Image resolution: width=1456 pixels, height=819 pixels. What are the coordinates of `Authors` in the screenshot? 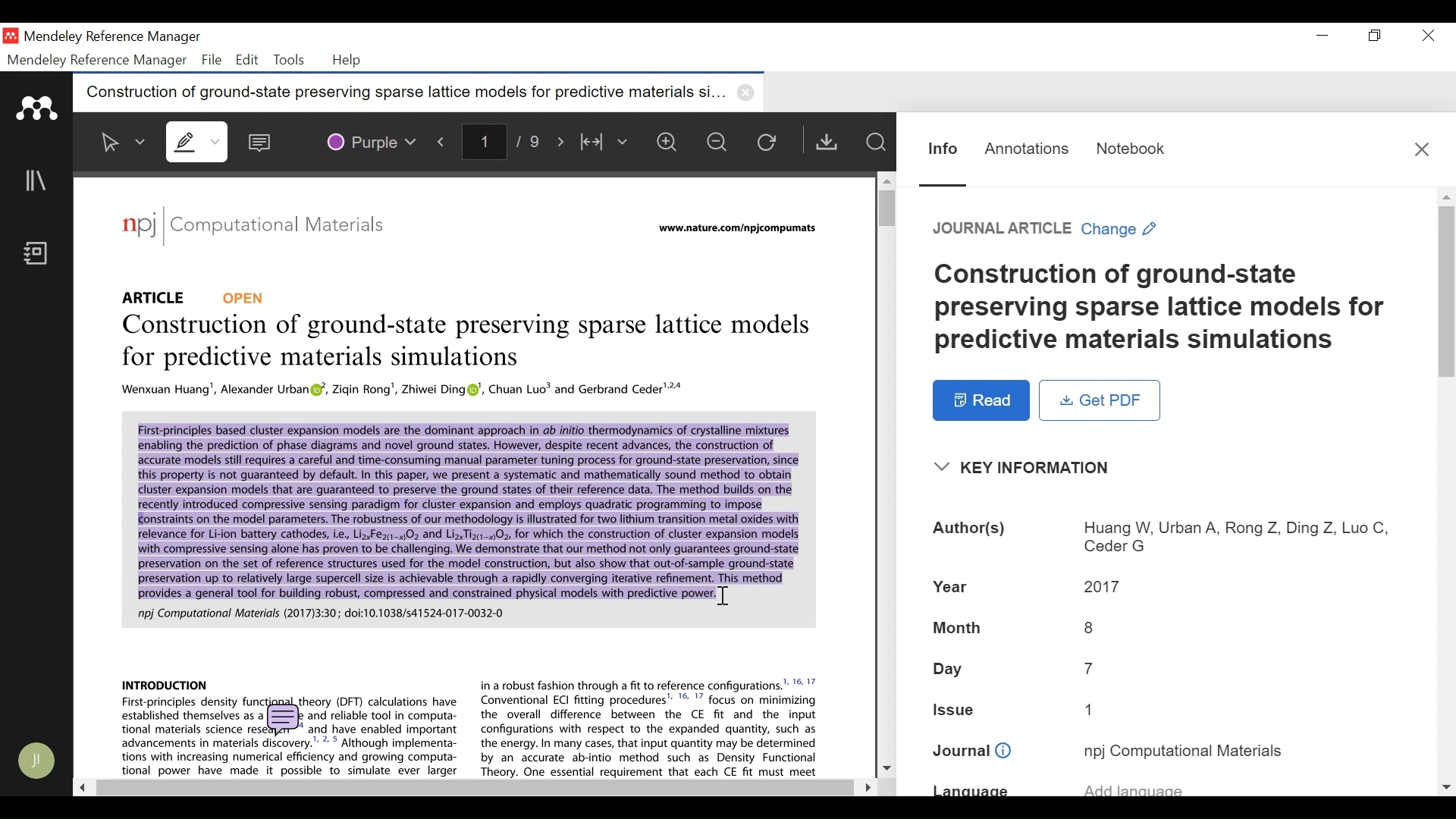 It's located at (971, 530).